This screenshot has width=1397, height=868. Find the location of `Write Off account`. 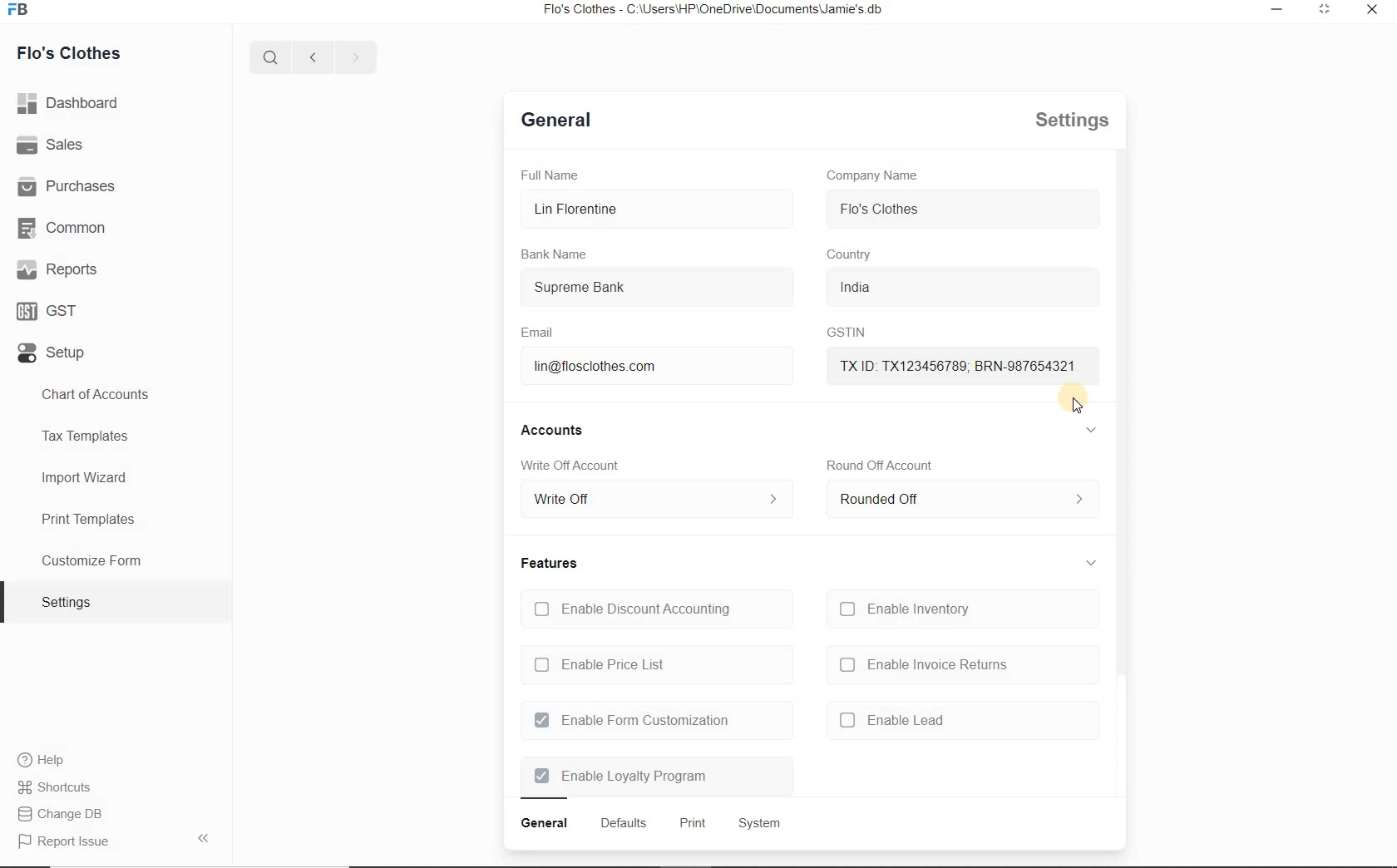

Write Off account is located at coordinates (575, 467).